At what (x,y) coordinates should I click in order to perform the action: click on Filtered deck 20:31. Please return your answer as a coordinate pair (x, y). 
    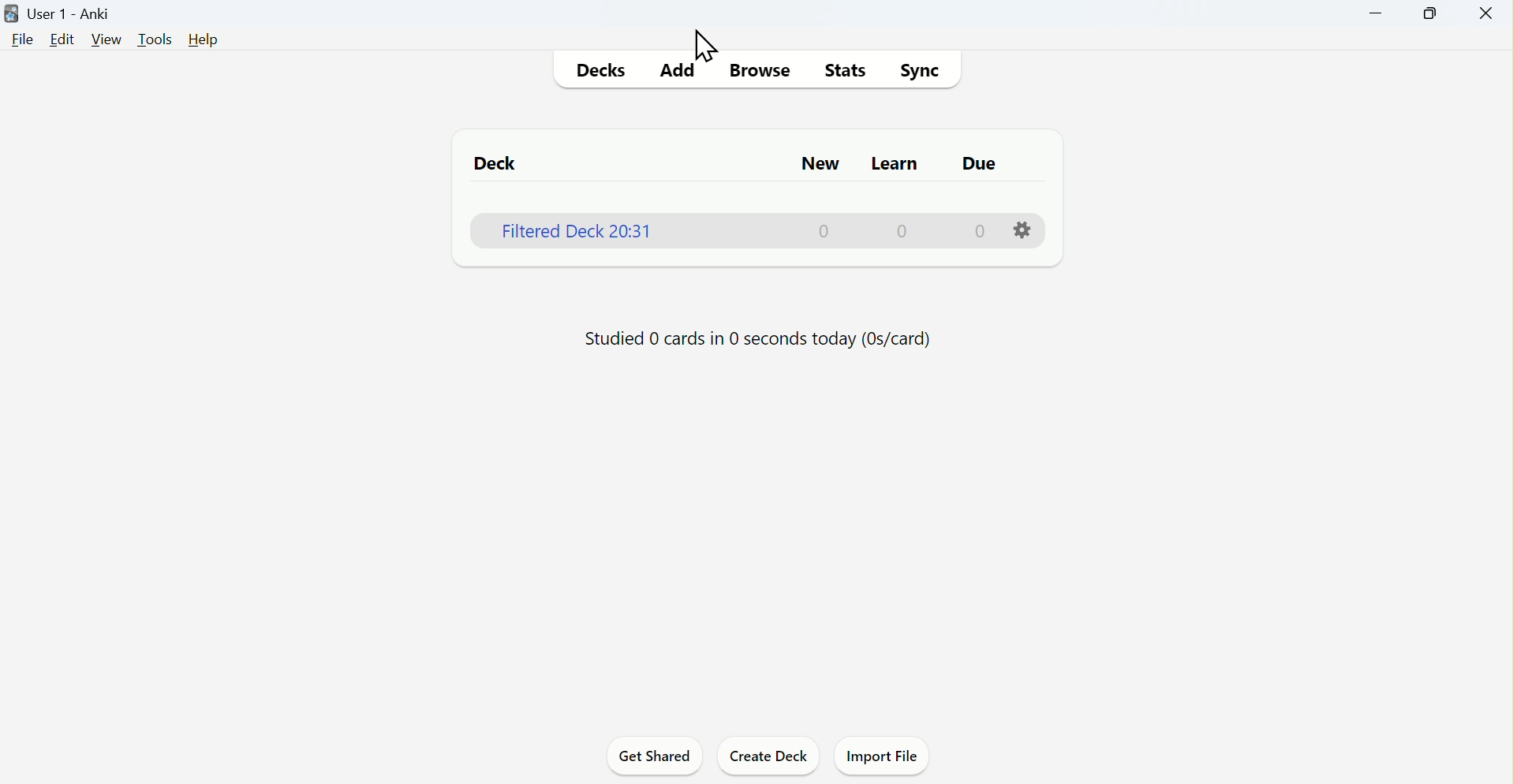
    Looking at the image, I should click on (580, 228).